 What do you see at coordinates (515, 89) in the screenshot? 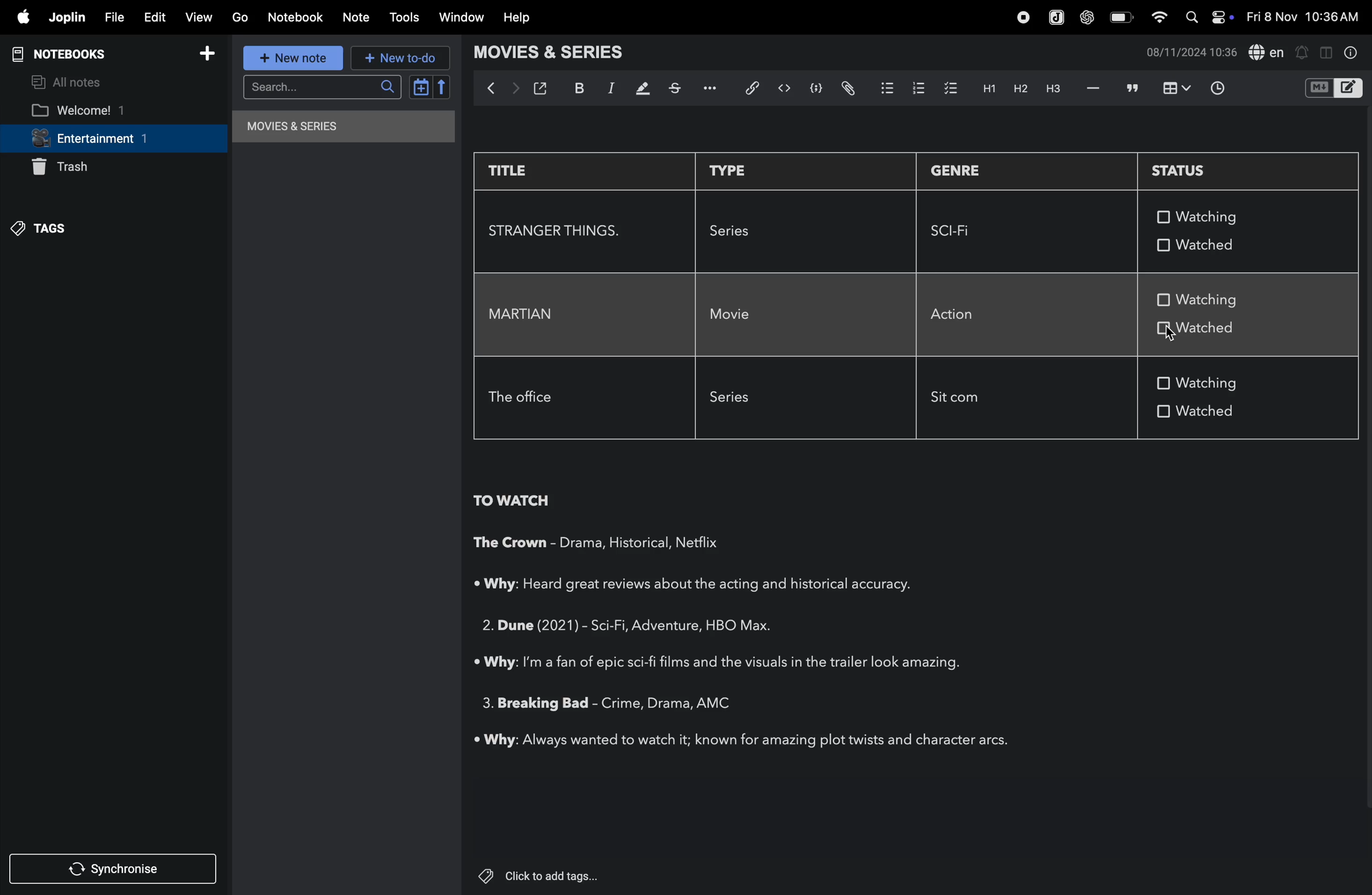
I see `forward` at bounding box center [515, 89].